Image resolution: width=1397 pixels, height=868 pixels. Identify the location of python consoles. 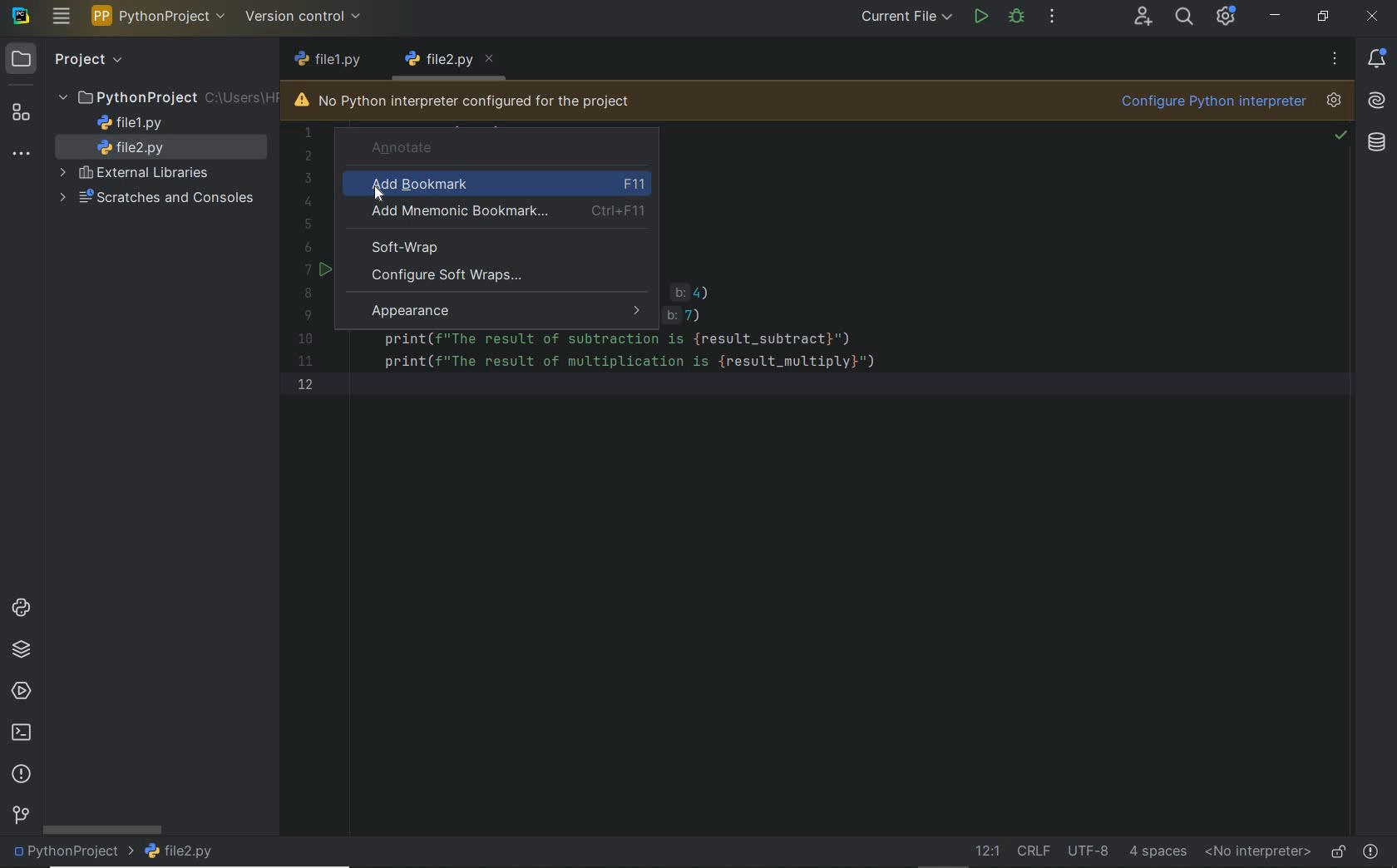
(20, 609).